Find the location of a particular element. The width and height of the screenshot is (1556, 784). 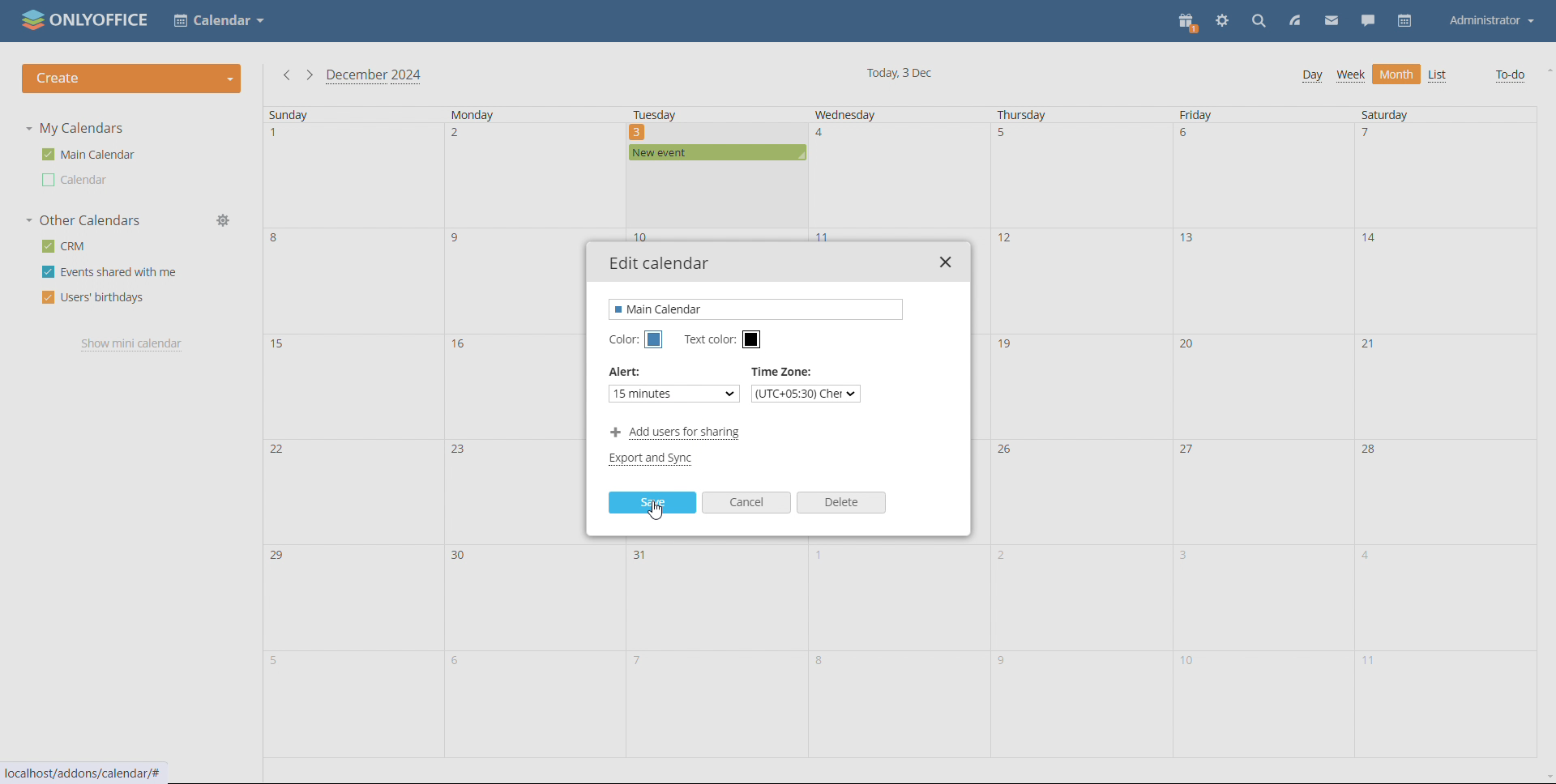

settings is located at coordinates (1223, 21).